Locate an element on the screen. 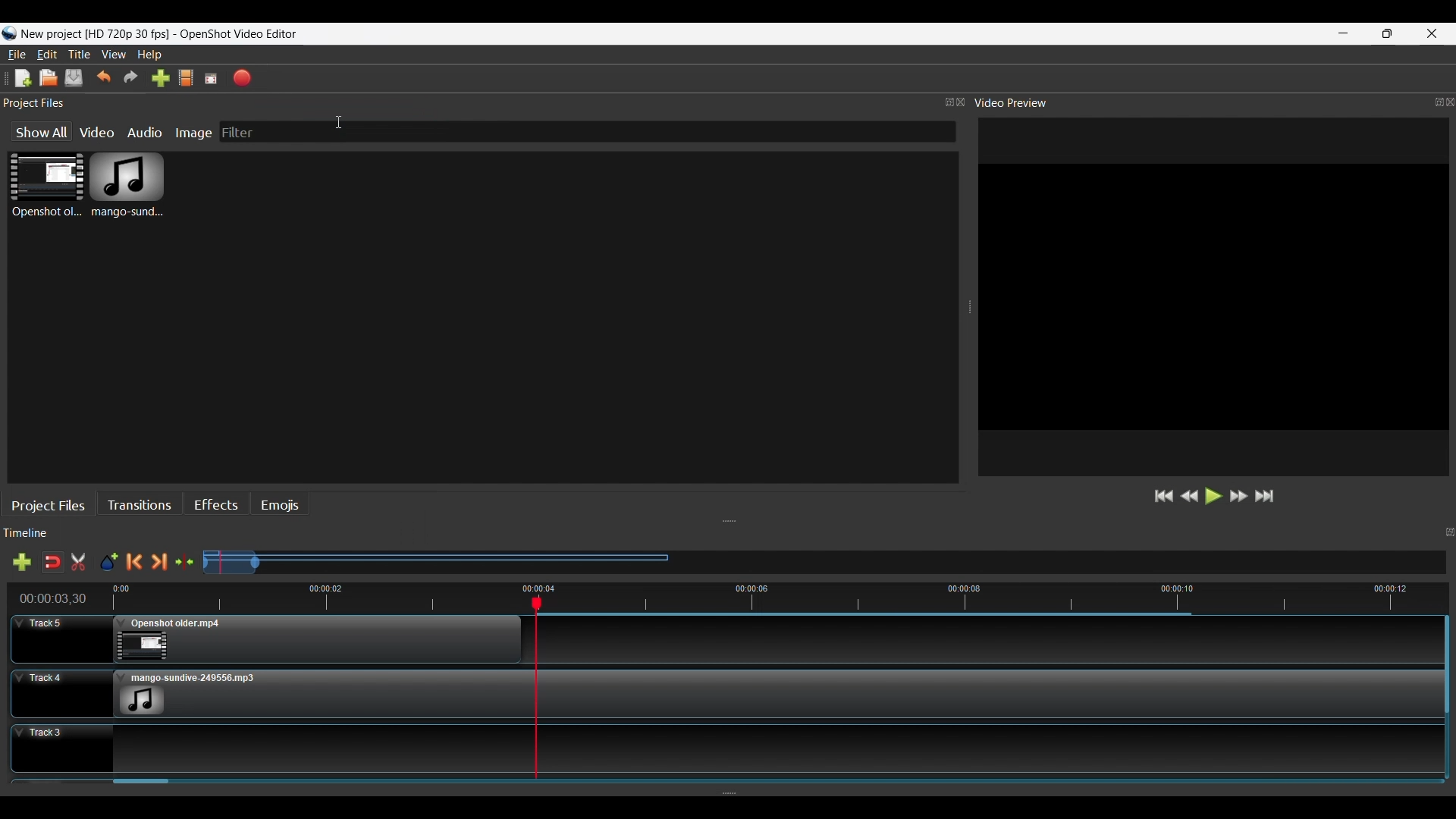 The height and width of the screenshot is (819, 1456). Timeline Preview is located at coordinates (50, 598).